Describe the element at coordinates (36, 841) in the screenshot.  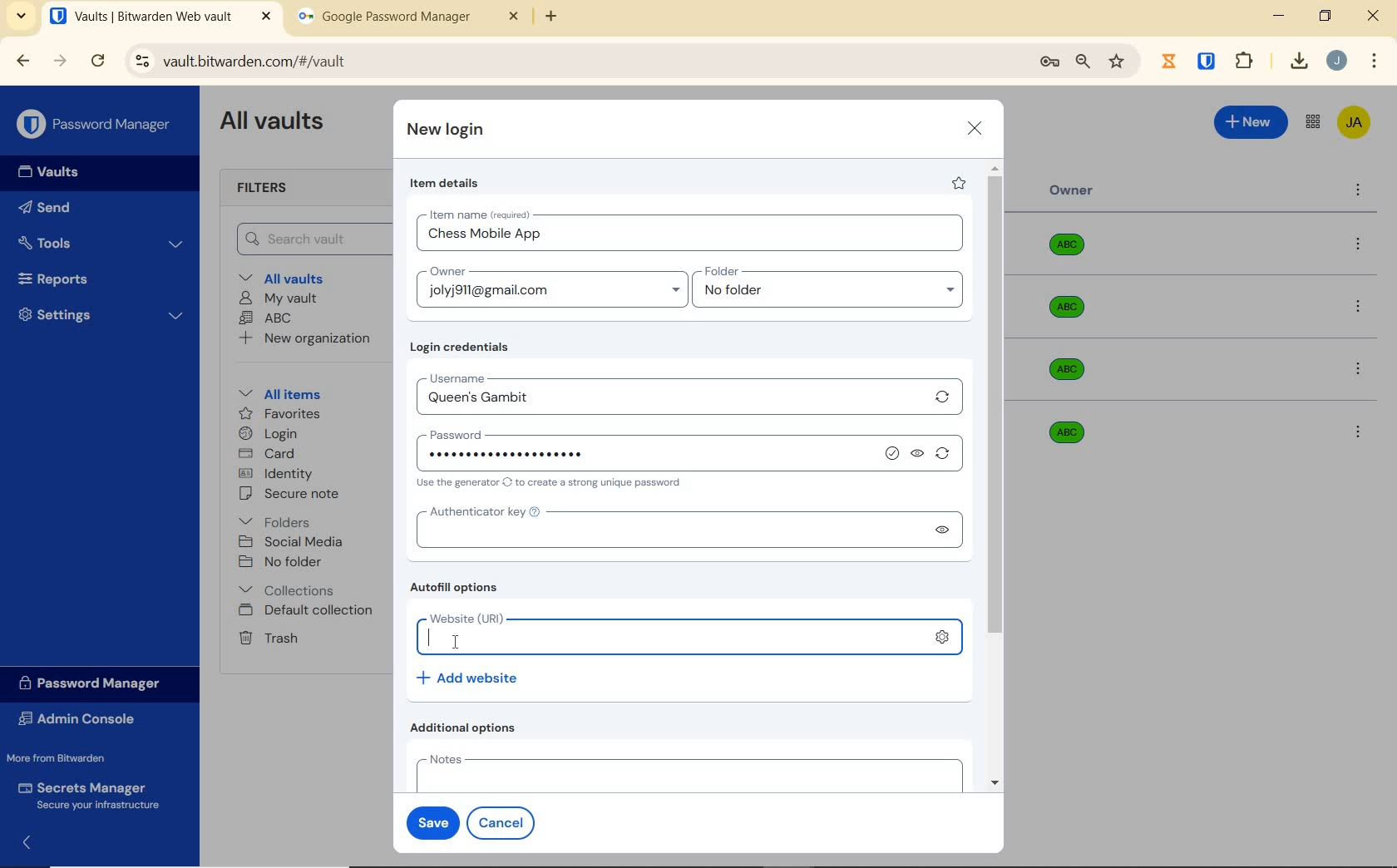
I see `close side bar` at that location.